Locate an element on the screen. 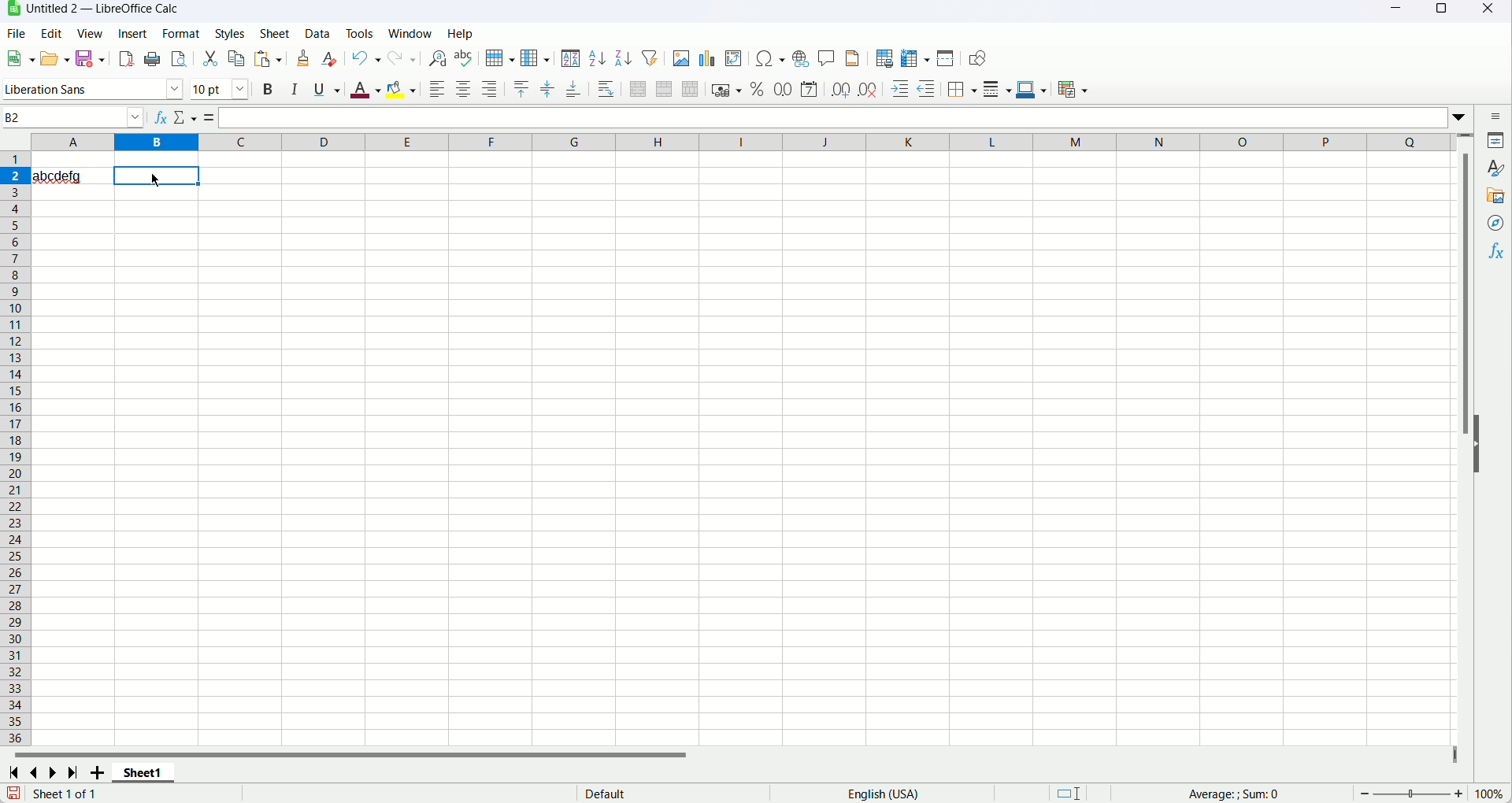 This screenshot has width=1512, height=803. bold is located at coordinates (269, 90).